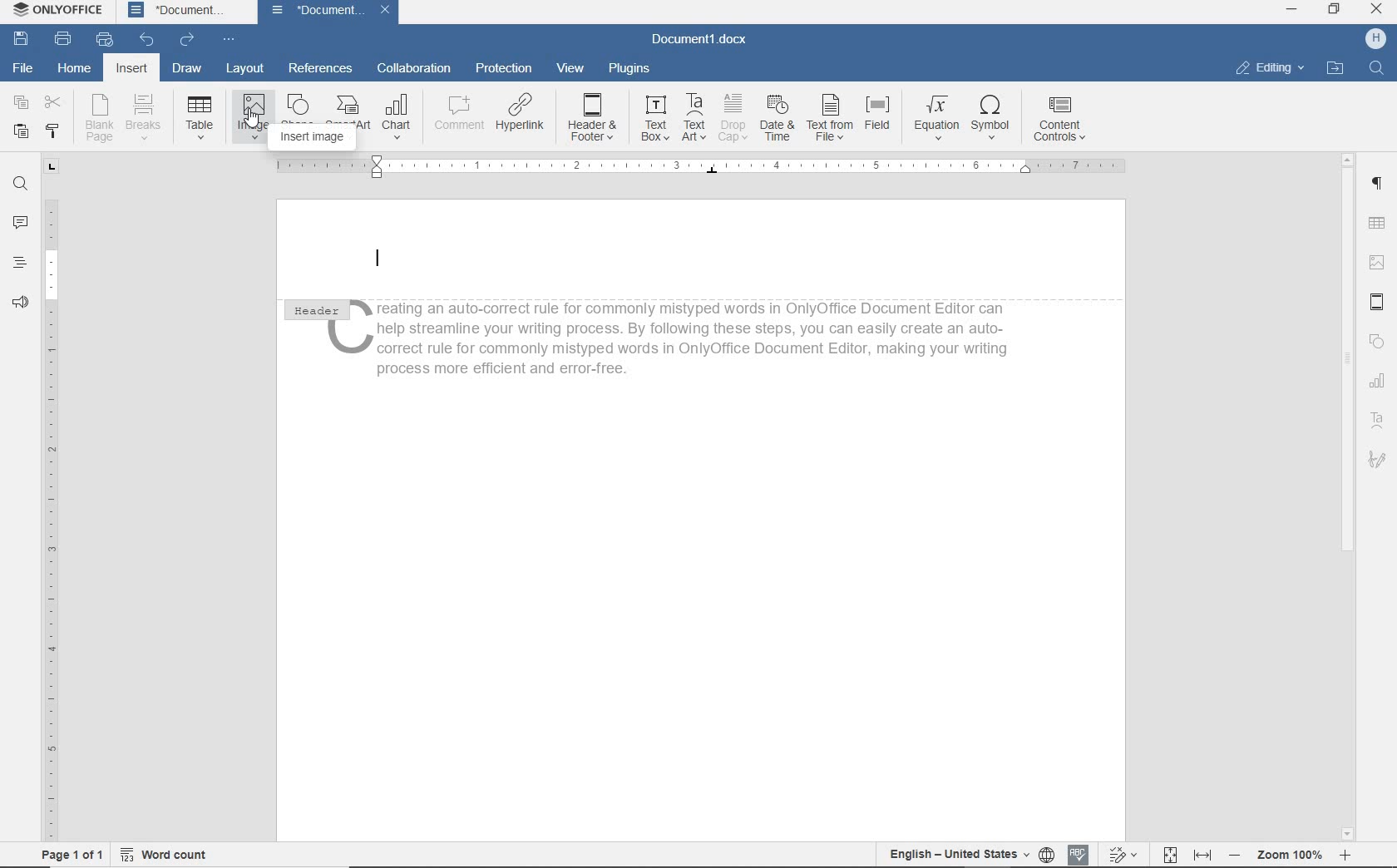 The width and height of the screenshot is (1397, 868). Describe the element at coordinates (21, 133) in the screenshot. I see `PASTE` at that location.